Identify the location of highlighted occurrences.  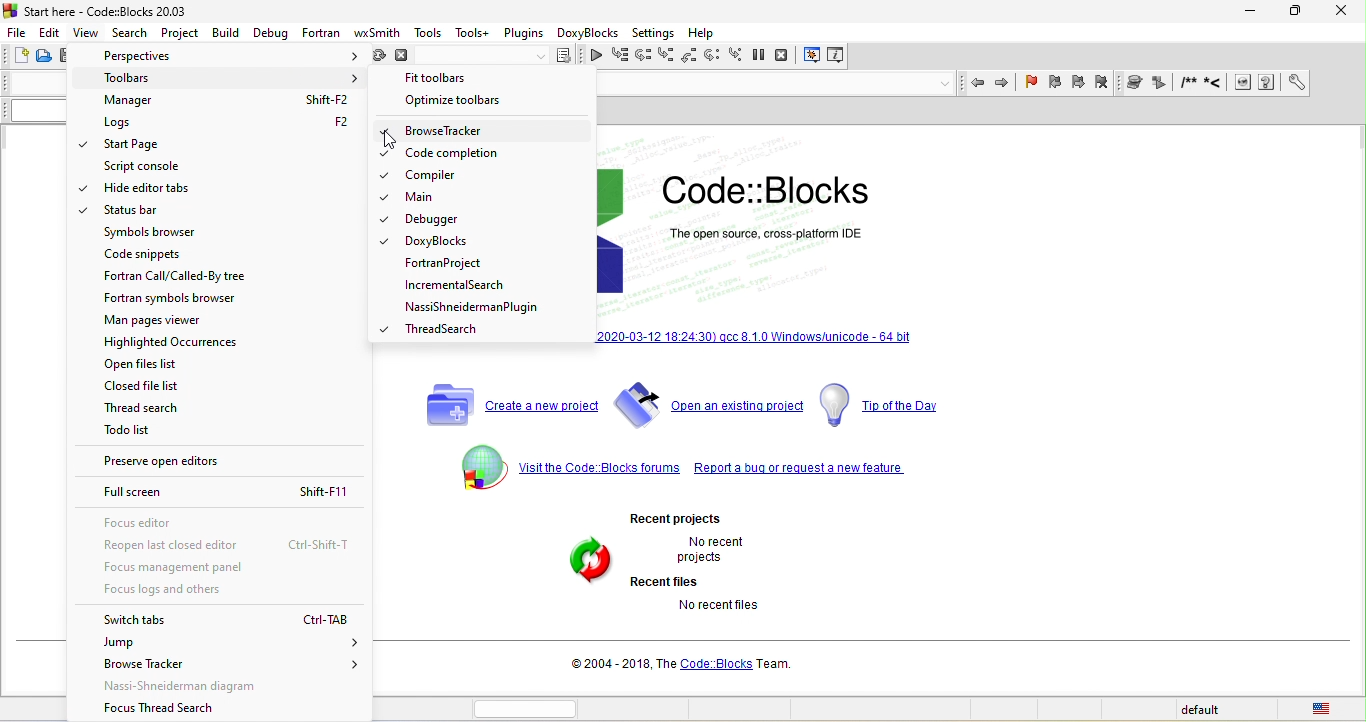
(173, 344).